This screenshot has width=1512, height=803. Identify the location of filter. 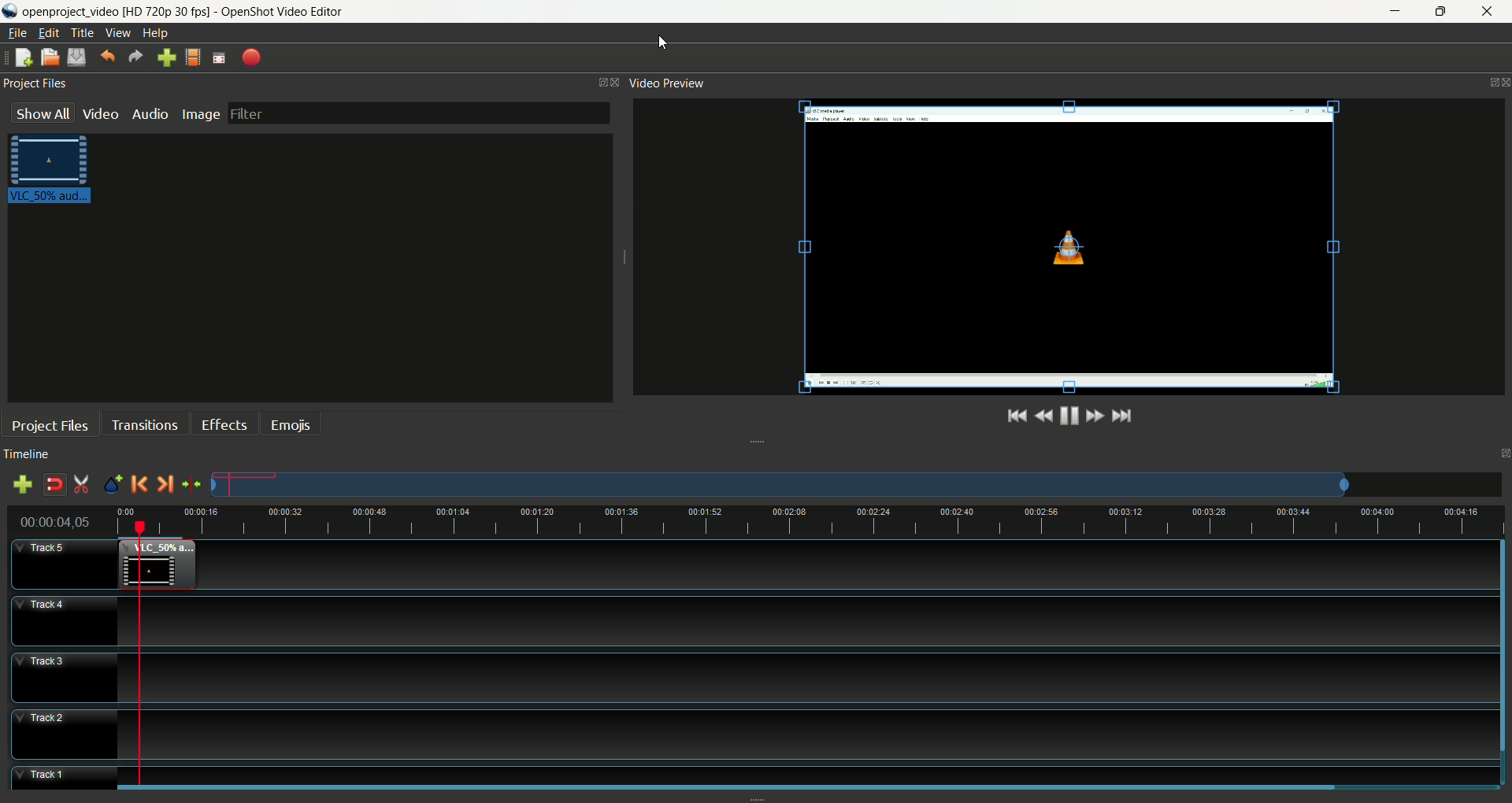
(418, 113).